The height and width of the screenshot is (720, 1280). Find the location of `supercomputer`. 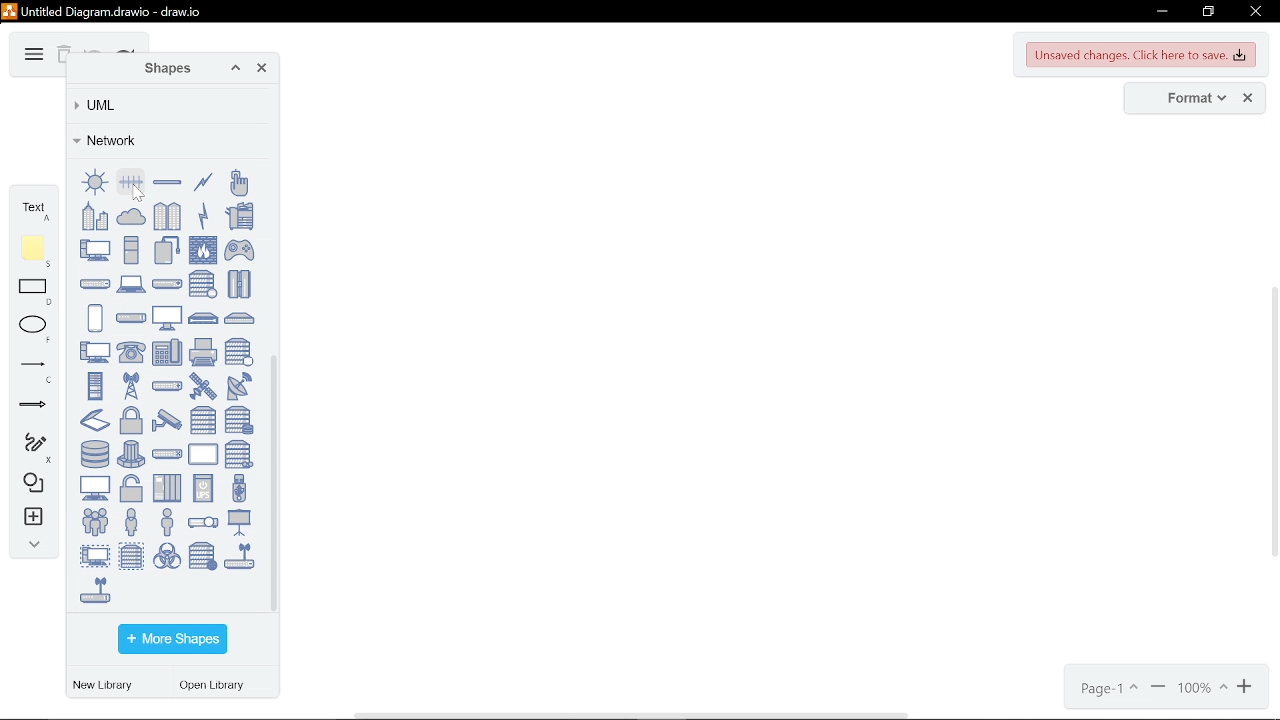

supercomputer is located at coordinates (131, 454).